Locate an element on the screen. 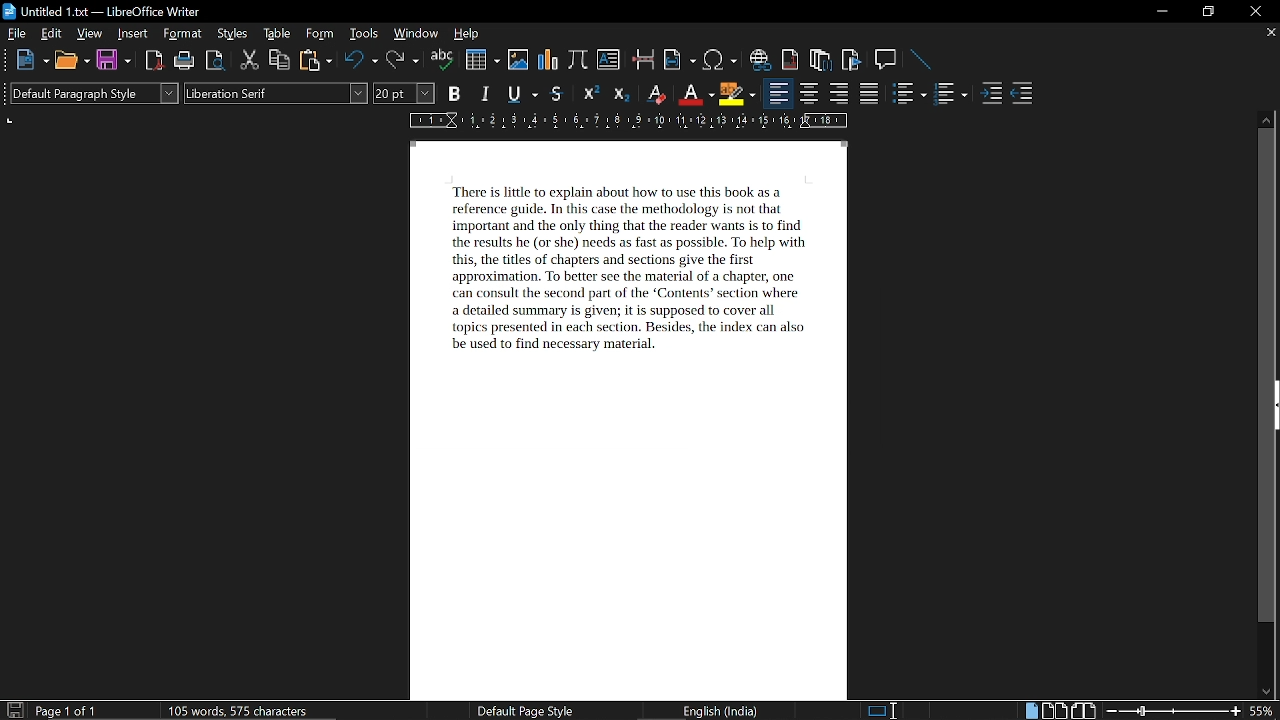 Image resolution: width=1280 pixels, height=720 pixels. decrease indent is located at coordinates (1022, 94).